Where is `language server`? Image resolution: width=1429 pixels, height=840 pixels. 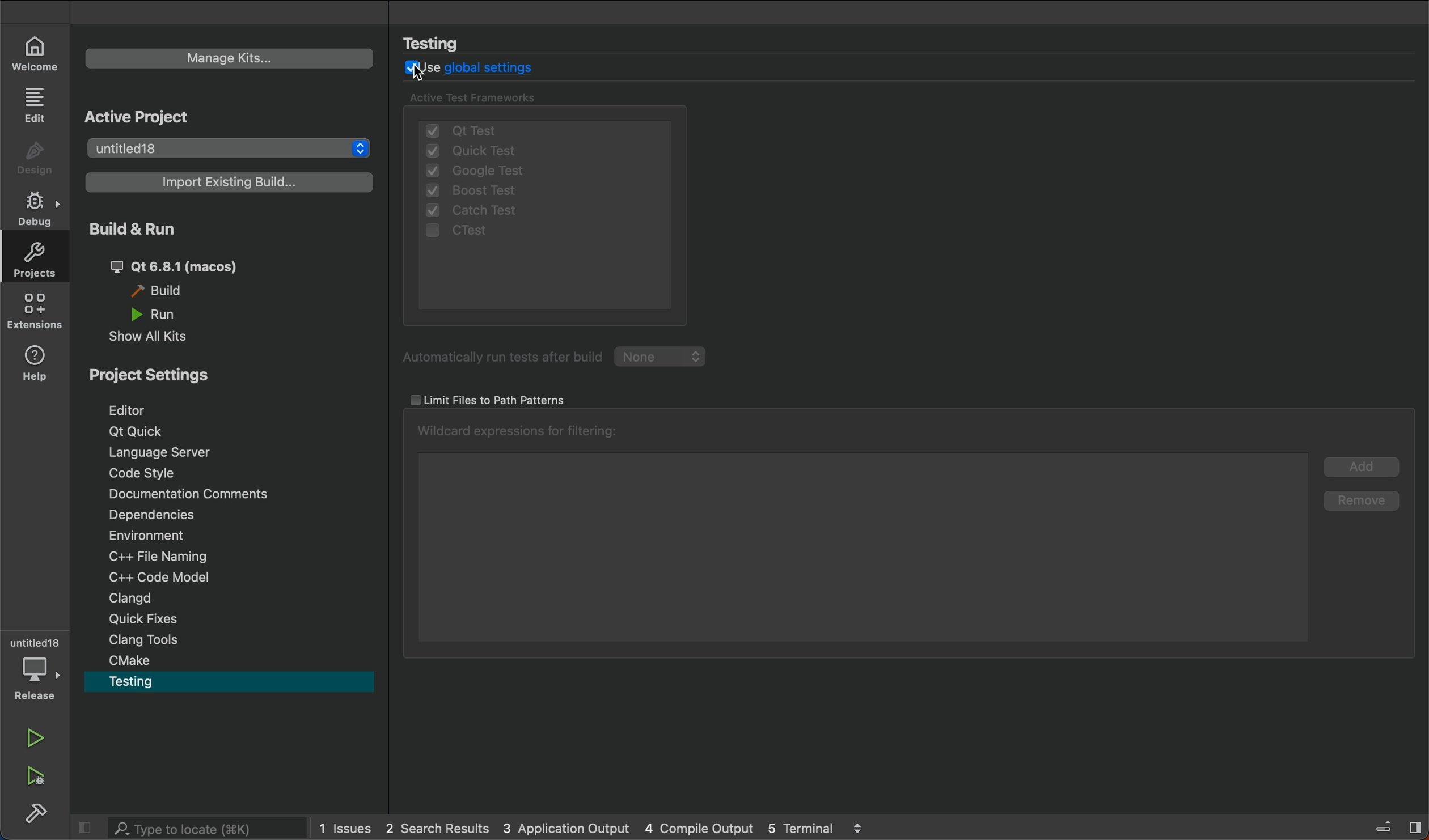
language server is located at coordinates (224, 455).